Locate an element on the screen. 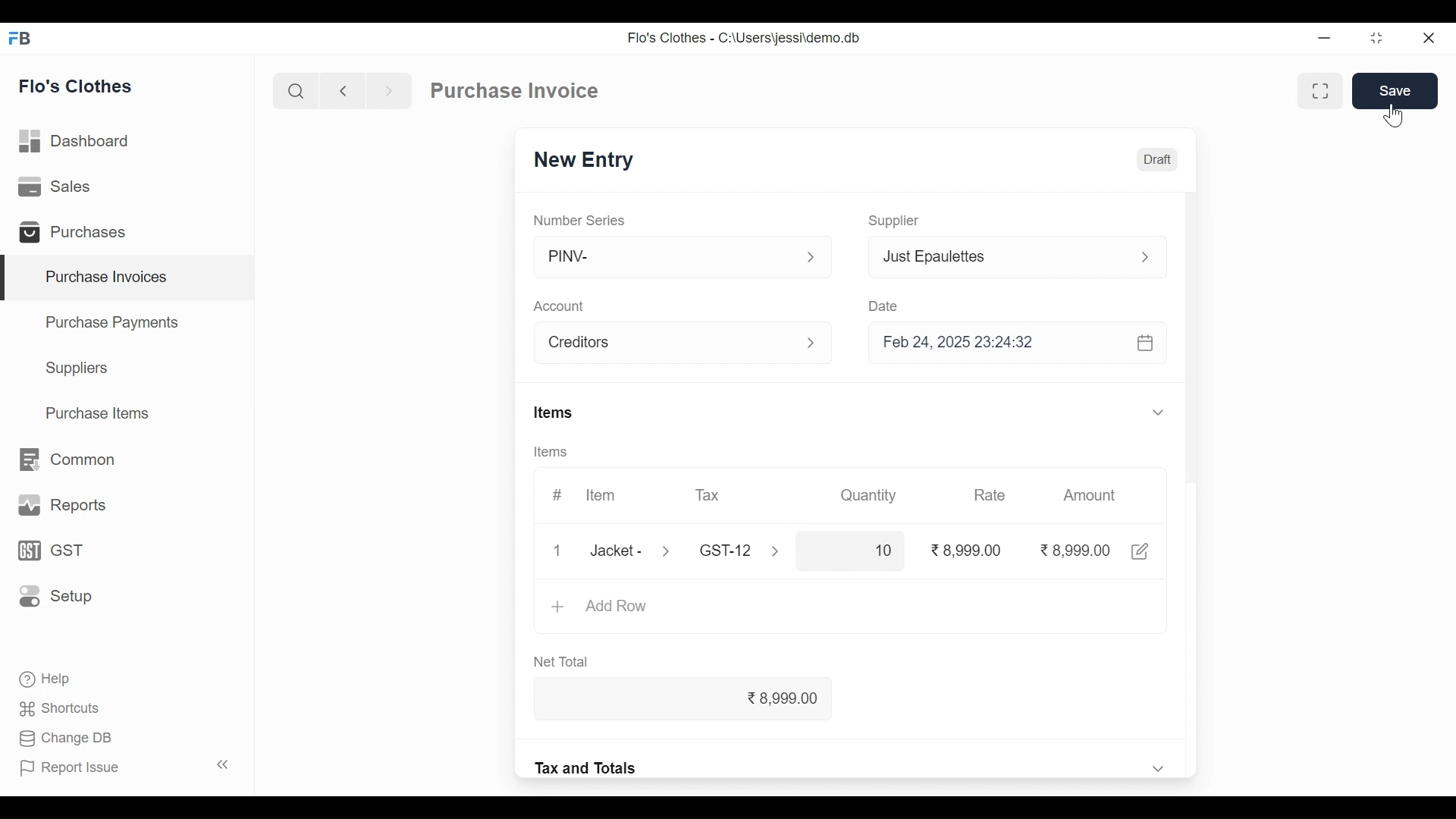 The image size is (1456, 819). Frappe Desktop icon is located at coordinates (24, 39).